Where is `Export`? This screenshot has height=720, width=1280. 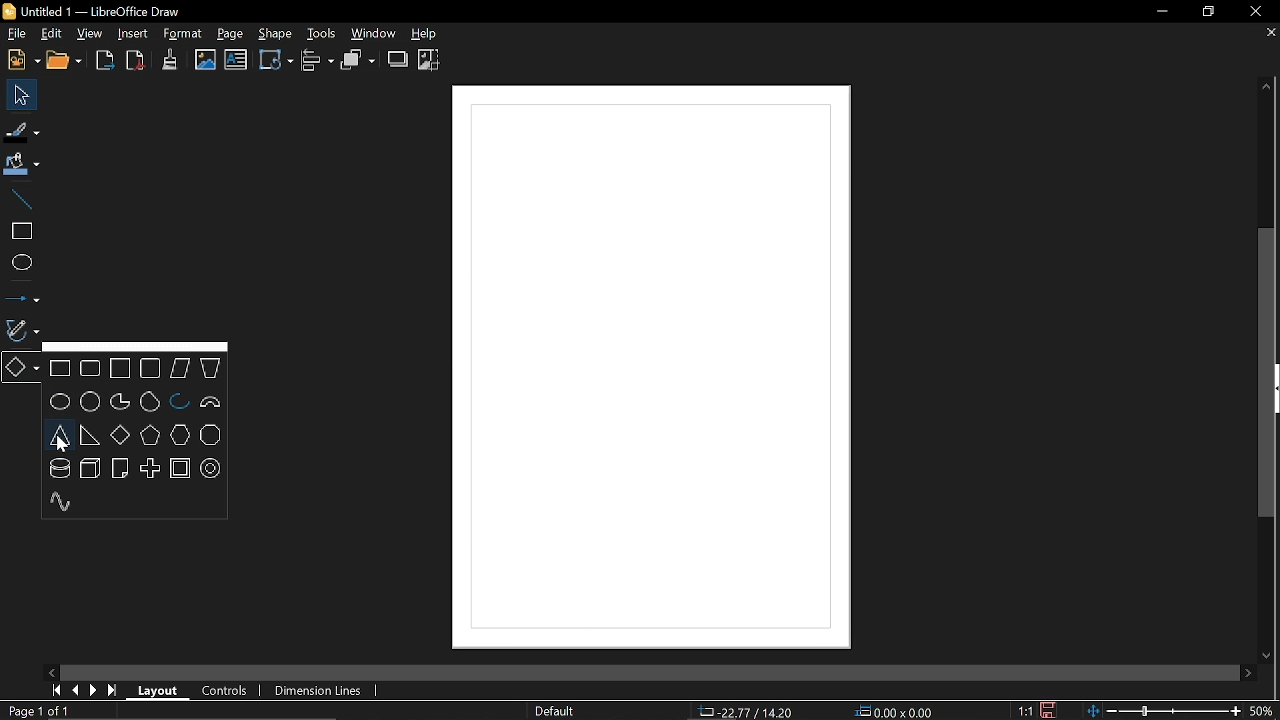 Export is located at coordinates (106, 62).